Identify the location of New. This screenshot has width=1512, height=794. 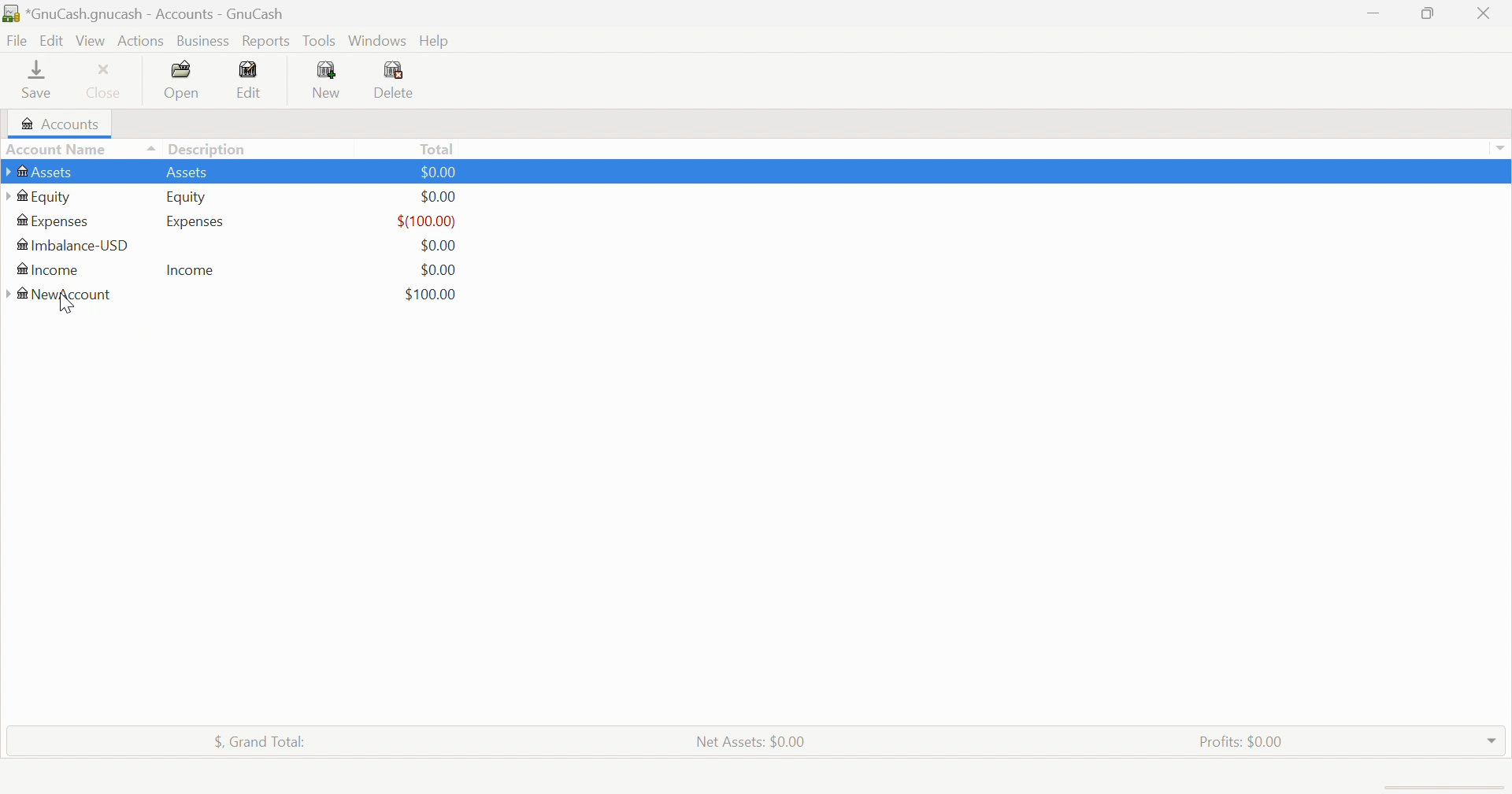
(329, 80).